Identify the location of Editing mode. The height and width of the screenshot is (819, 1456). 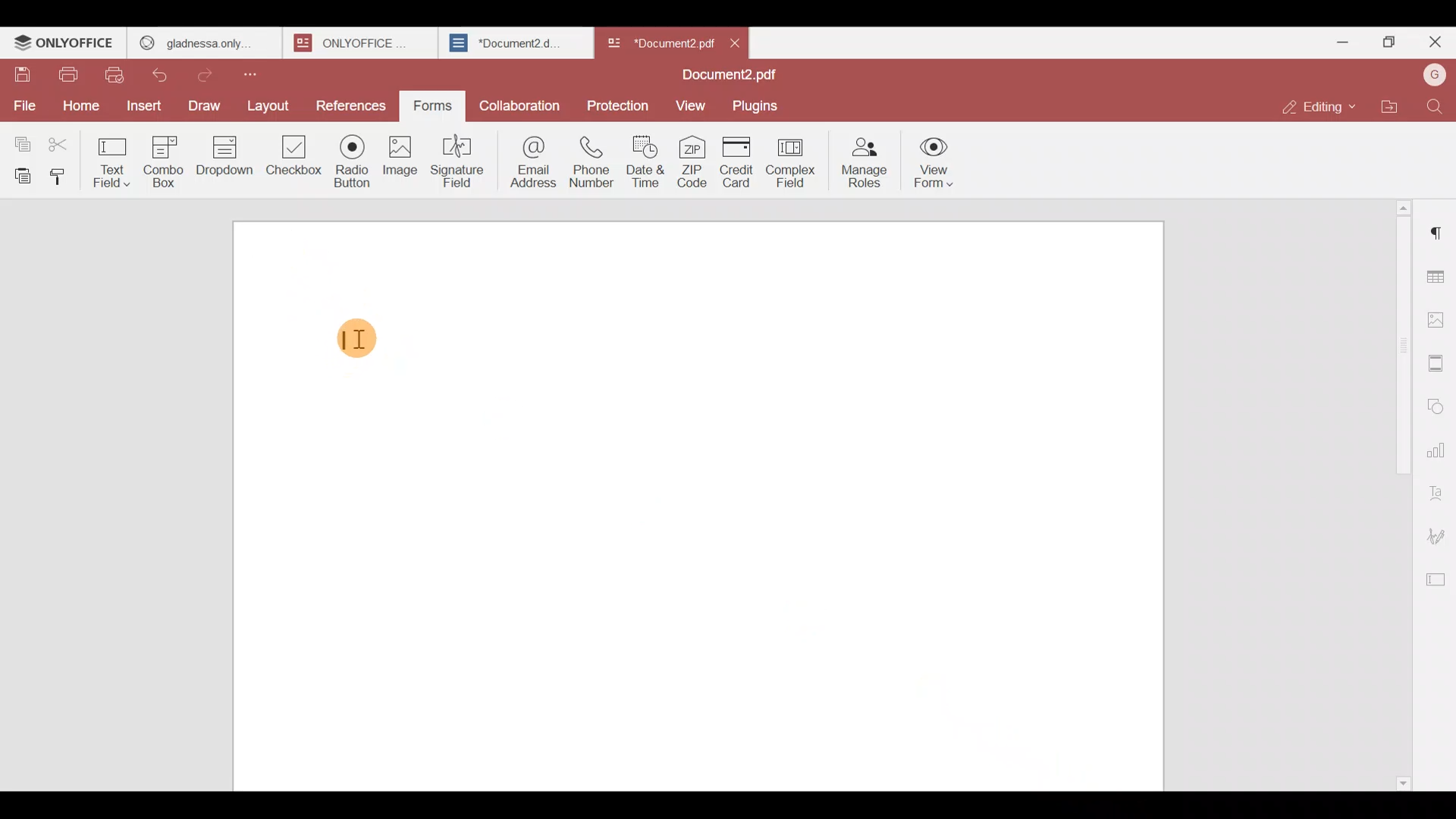
(1321, 102).